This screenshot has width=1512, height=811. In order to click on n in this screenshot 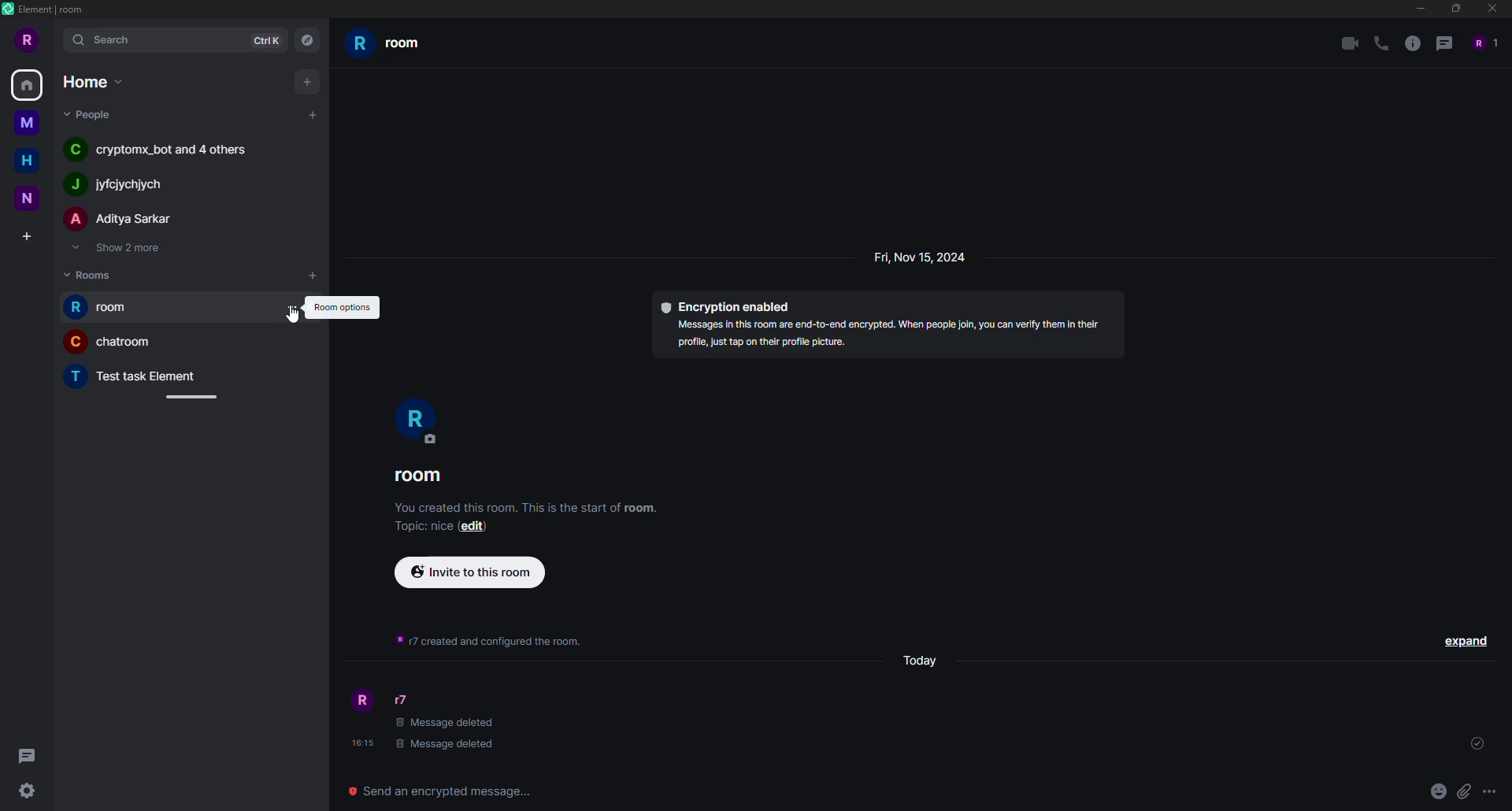, I will do `click(28, 196)`.